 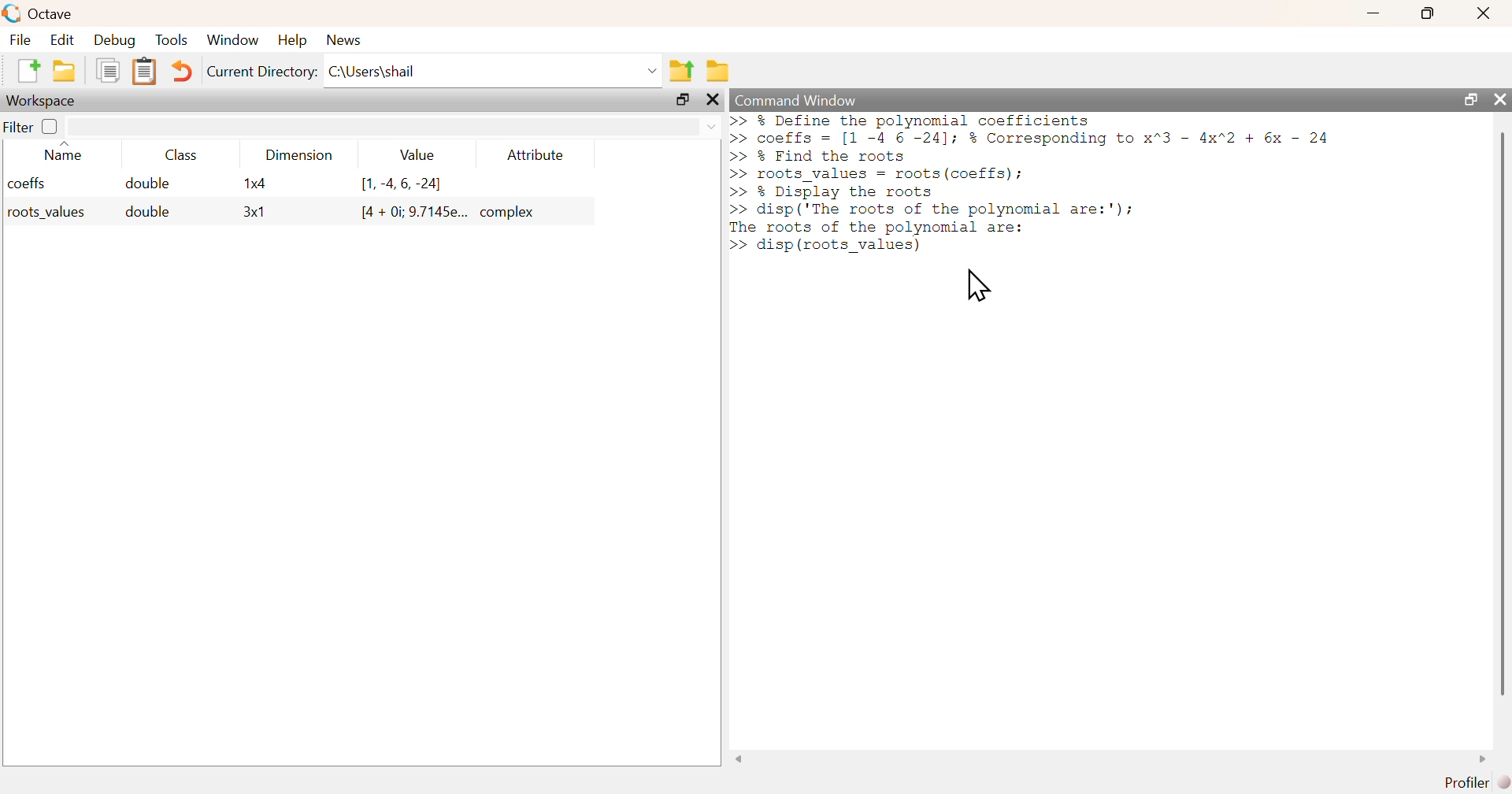 What do you see at coordinates (739, 759) in the screenshot?
I see `scroll left` at bounding box center [739, 759].